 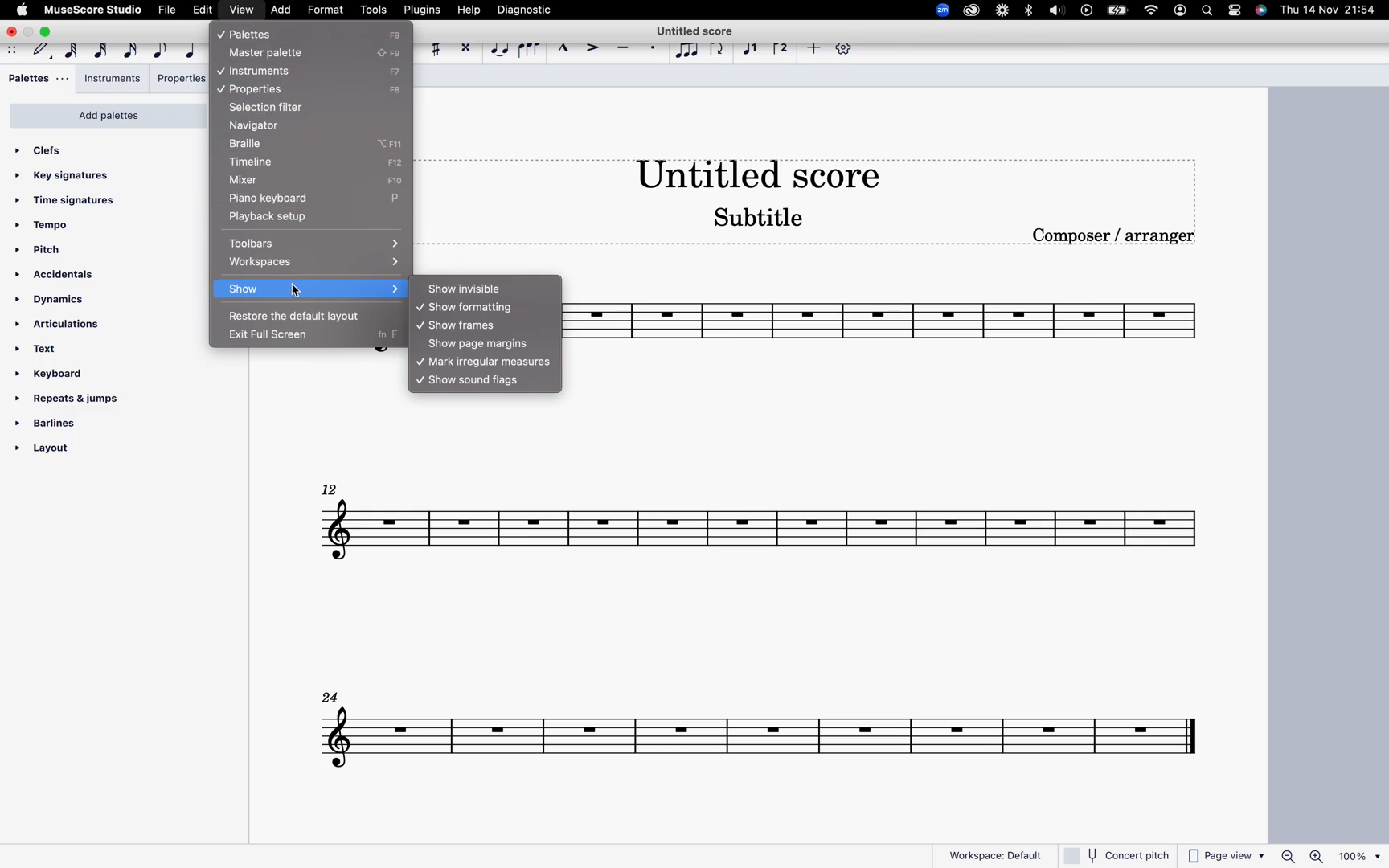 What do you see at coordinates (561, 47) in the screenshot?
I see `marcato` at bounding box center [561, 47].